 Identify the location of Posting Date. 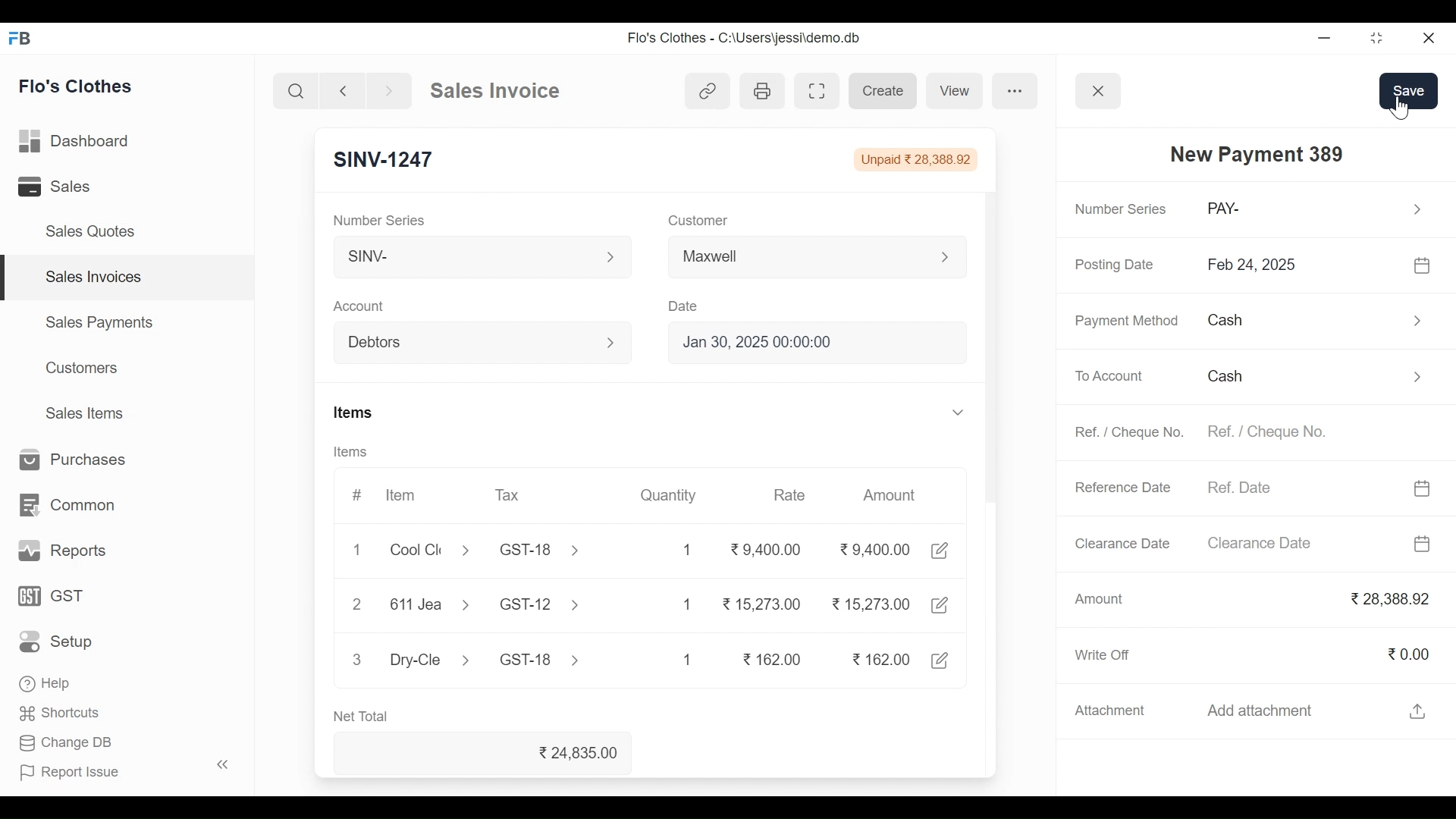
(1116, 263).